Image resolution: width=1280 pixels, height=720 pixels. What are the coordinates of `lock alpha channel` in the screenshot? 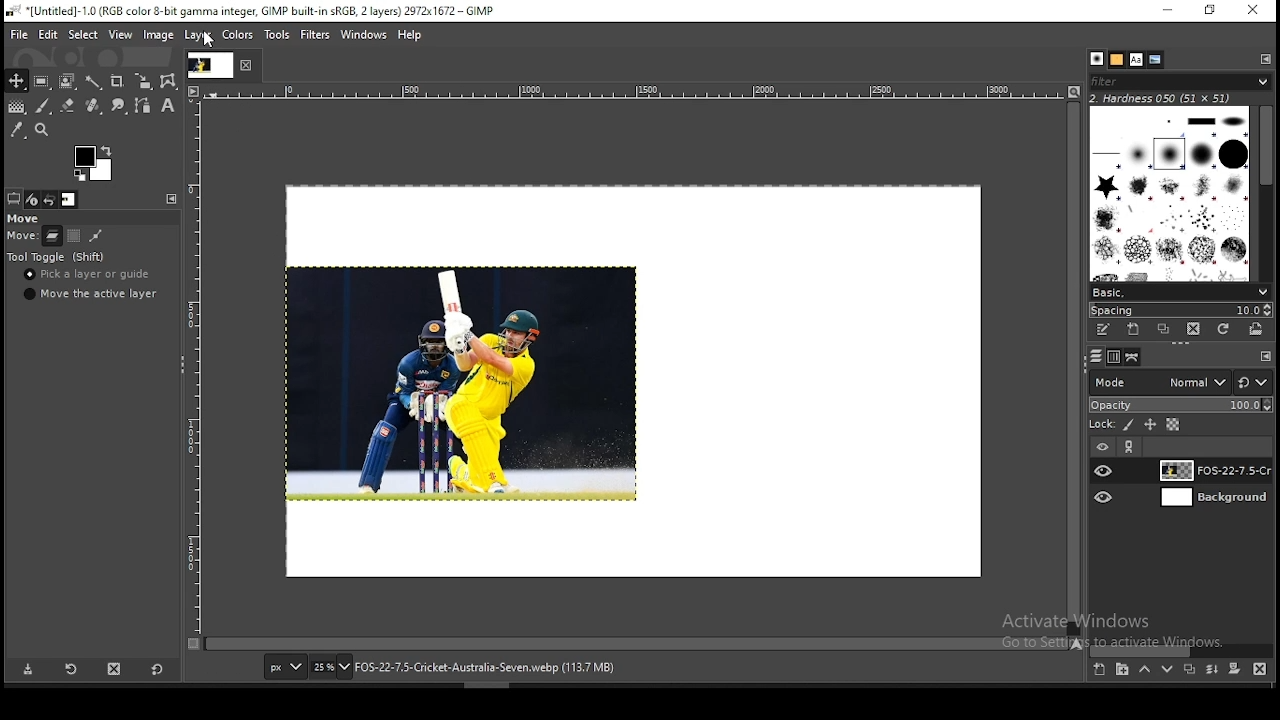 It's located at (1172, 425).